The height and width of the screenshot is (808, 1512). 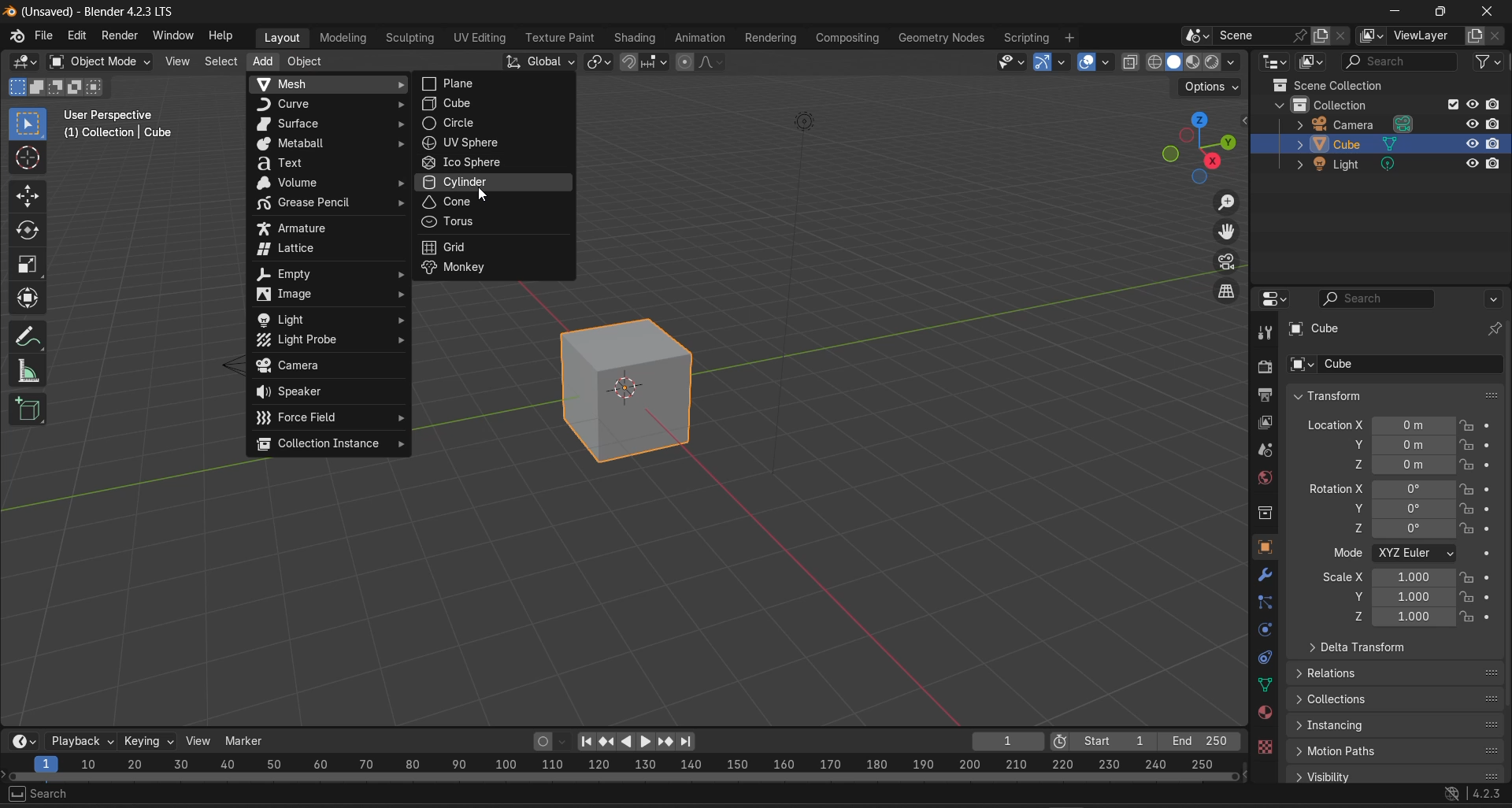 What do you see at coordinates (1132, 61) in the screenshot?
I see `toggle x-ray` at bounding box center [1132, 61].